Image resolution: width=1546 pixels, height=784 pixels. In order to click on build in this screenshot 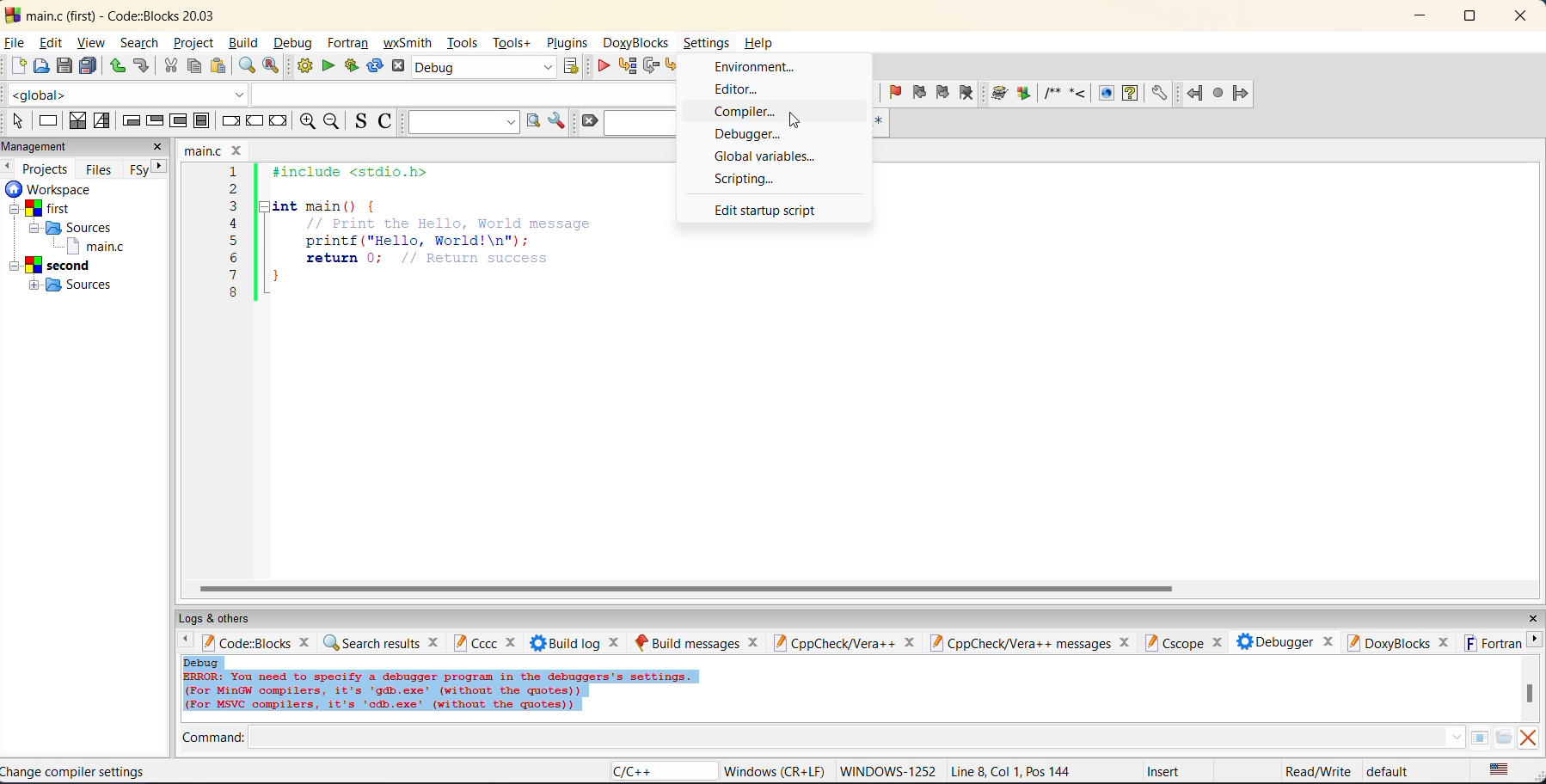, I will do `click(305, 67)`.